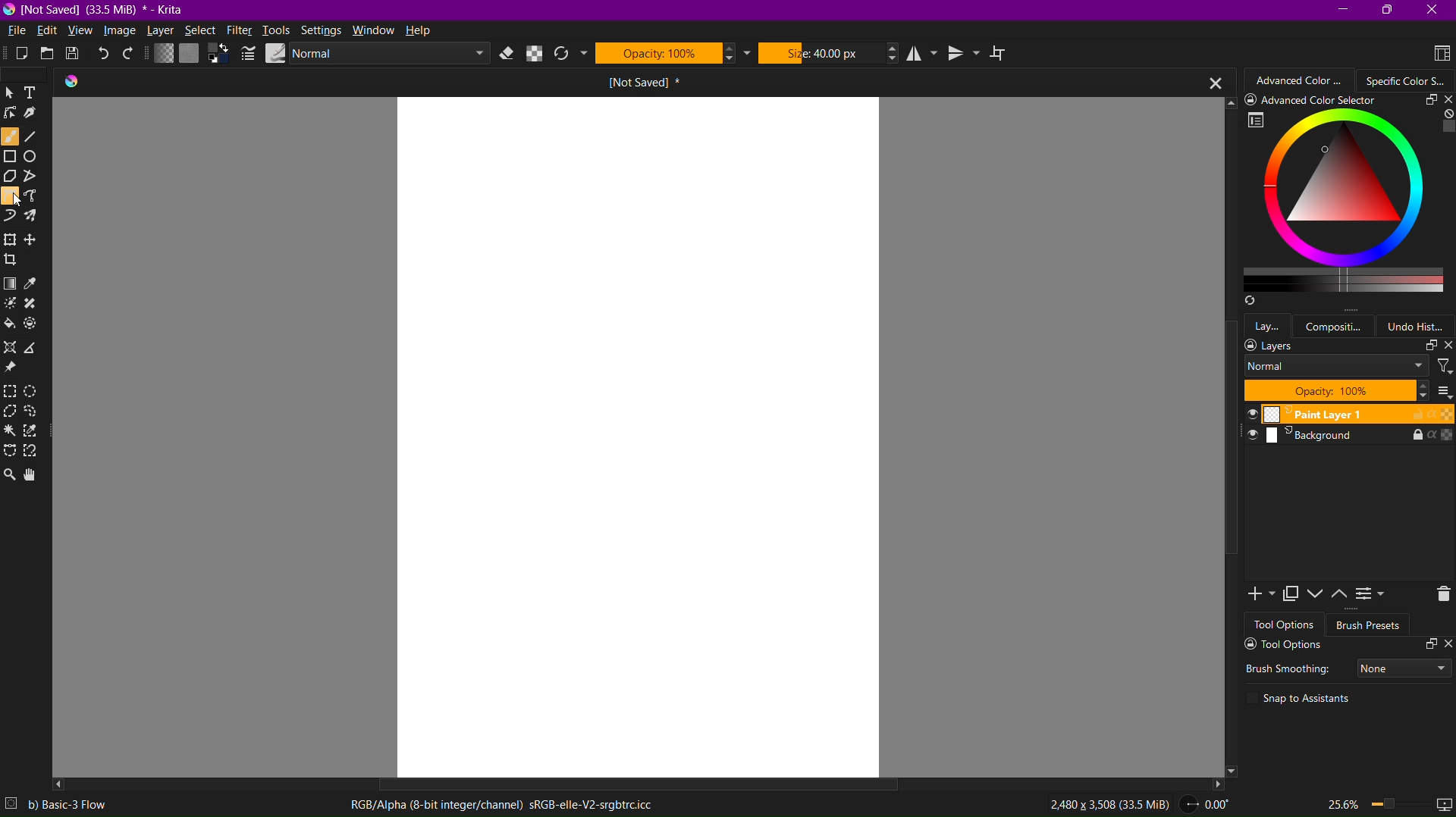  I want to click on RGB/Alpha(8-bit integer/channel), so click(500, 806).